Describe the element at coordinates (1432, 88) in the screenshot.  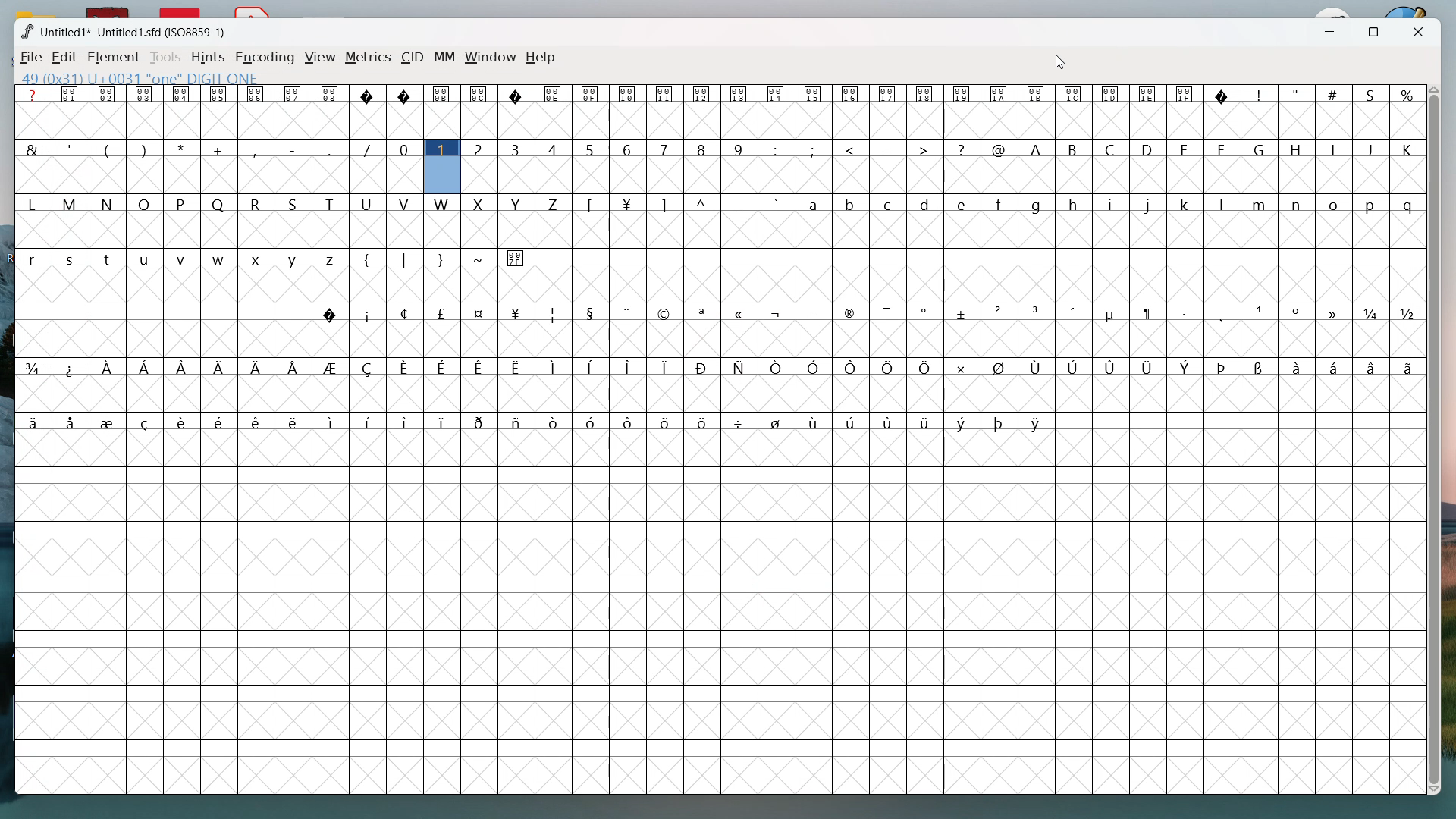
I see `scroll up` at that location.